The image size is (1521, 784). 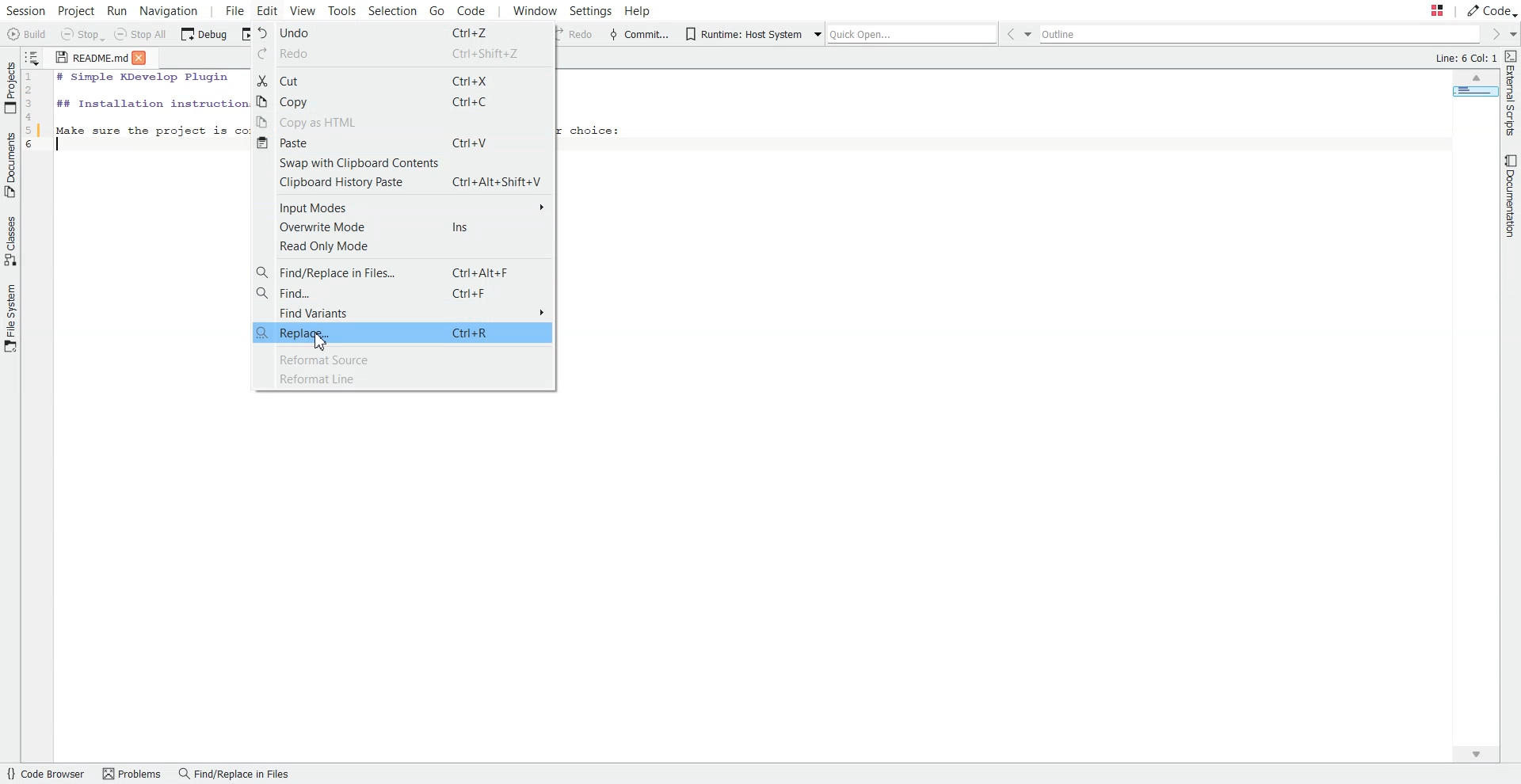 What do you see at coordinates (403, 142) in the screenshot?
I see `Paste Ctrl+V` at bounding box center [403, 142].